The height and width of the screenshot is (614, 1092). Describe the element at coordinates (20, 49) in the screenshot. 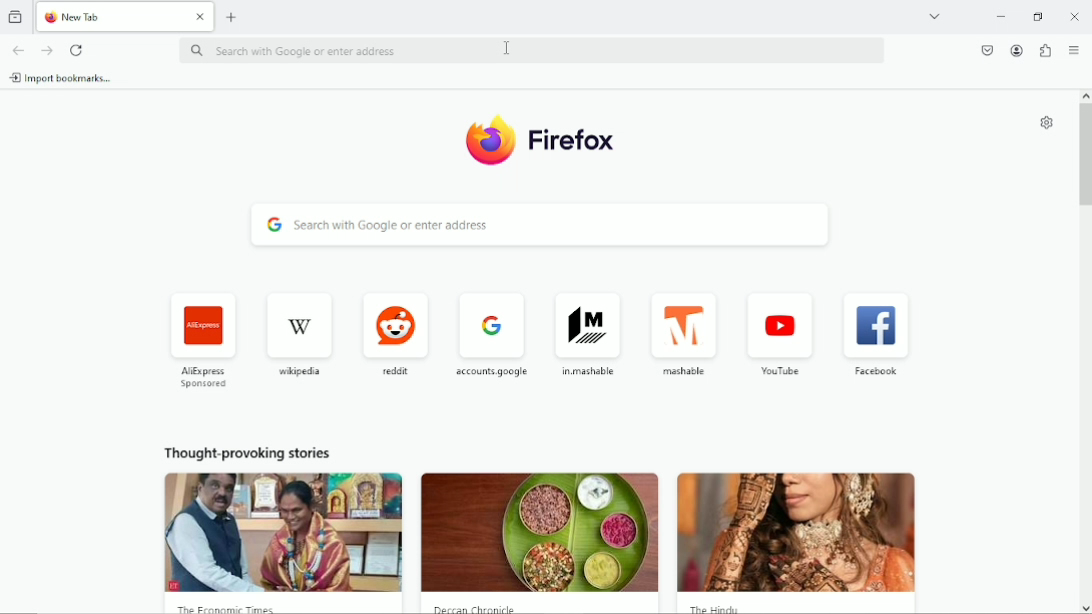

I see `go back` at that location.